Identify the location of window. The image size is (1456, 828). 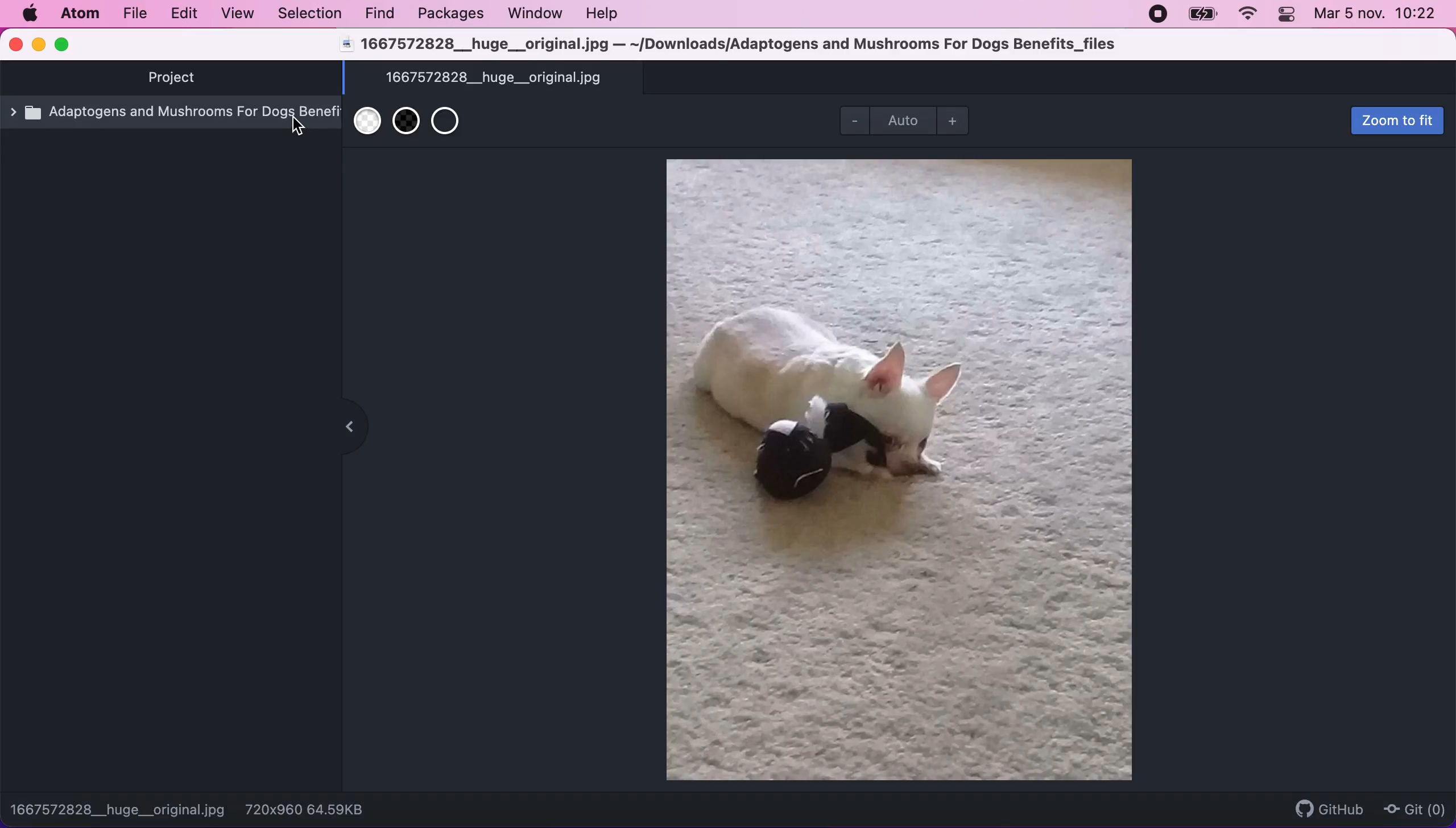
(535, 14).